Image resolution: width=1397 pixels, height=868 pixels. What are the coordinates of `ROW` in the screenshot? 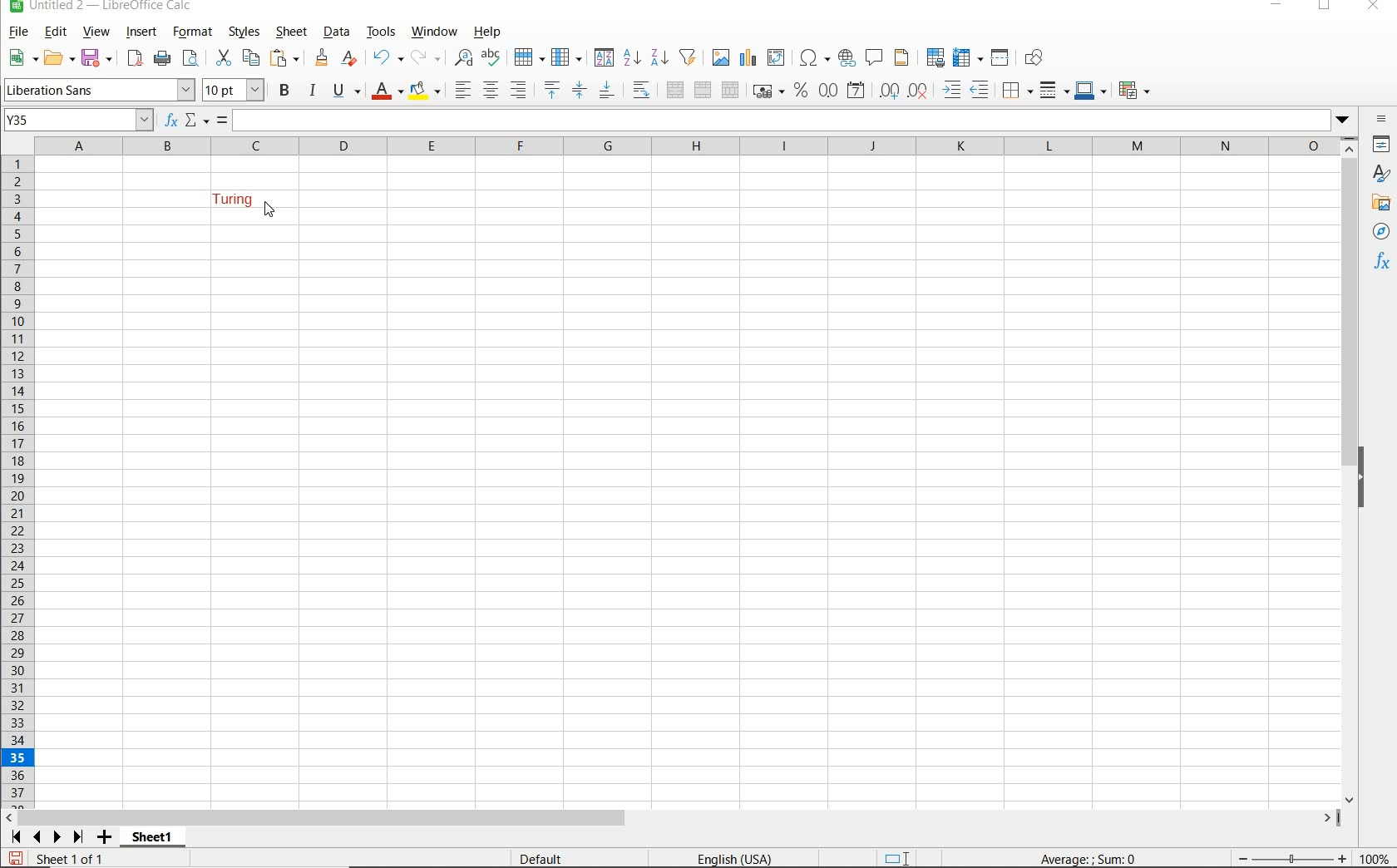 It's located at (529, 57).